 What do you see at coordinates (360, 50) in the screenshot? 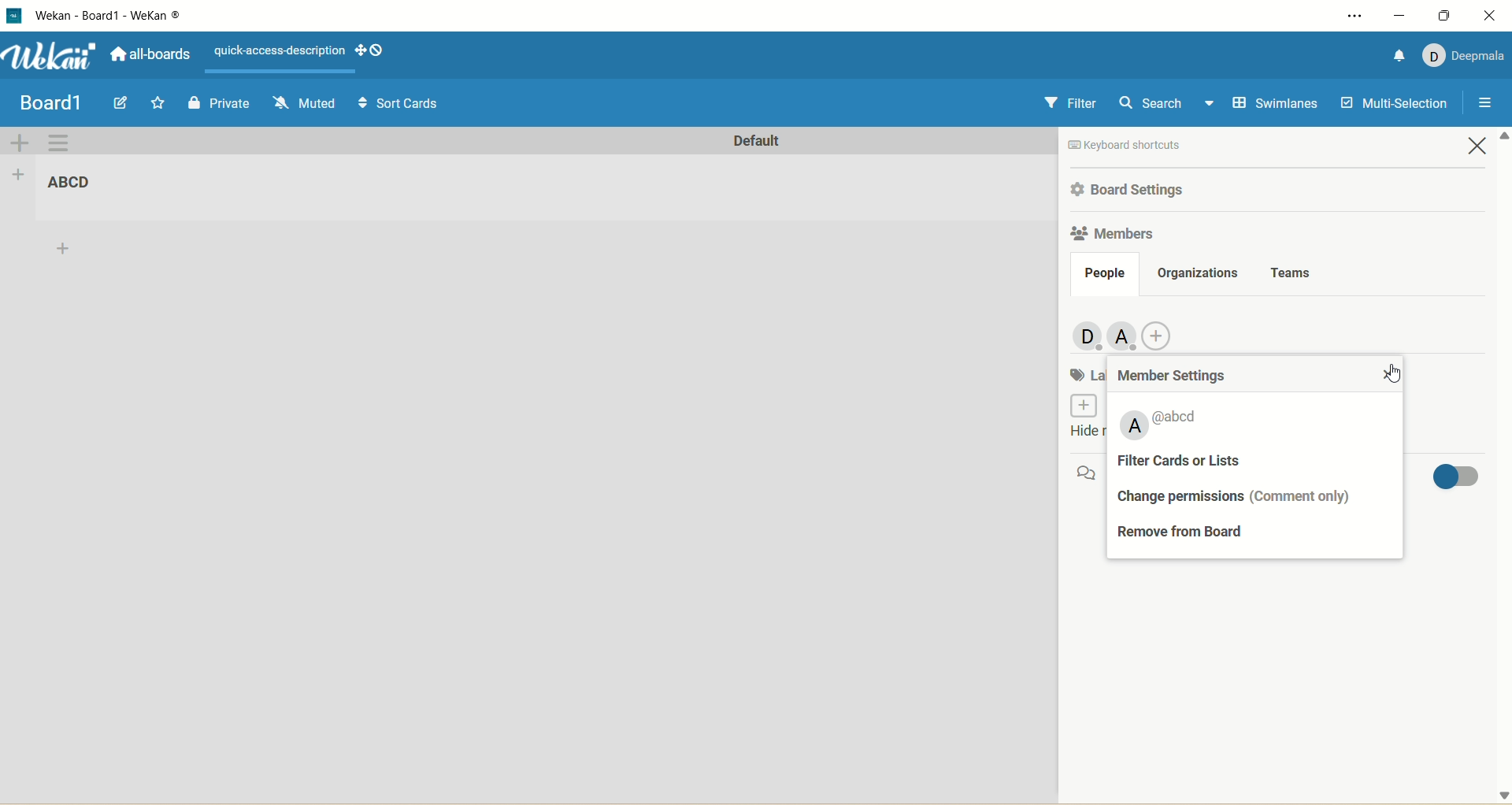
I see `show-desktop-drag-handles` at bounding box center [360, 50].